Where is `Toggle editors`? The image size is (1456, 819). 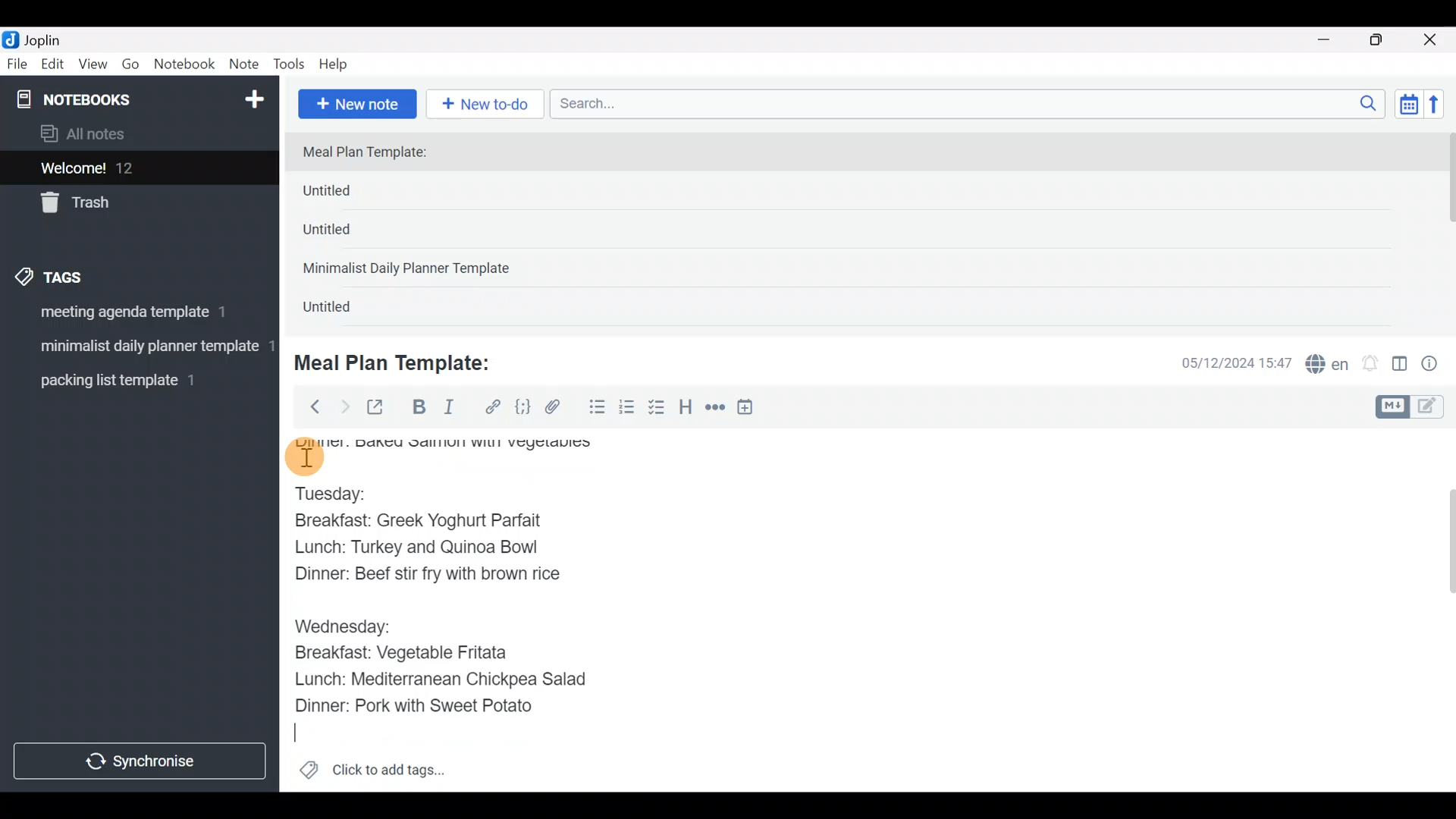 Toggle editors is located at coordinates (1414, 405).